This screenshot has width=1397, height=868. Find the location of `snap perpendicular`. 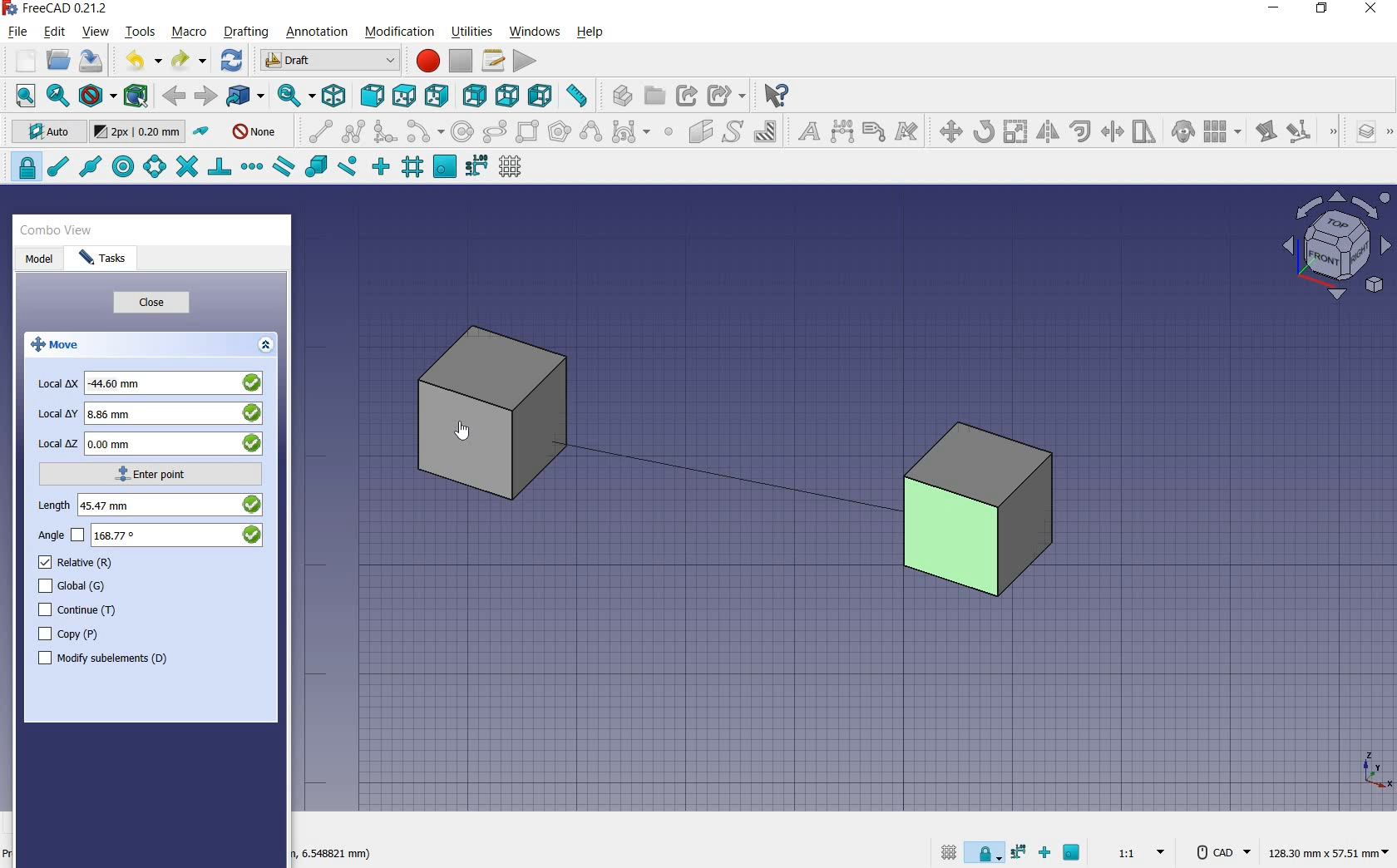

snap perpendicular is located at coordinates (220, 167).